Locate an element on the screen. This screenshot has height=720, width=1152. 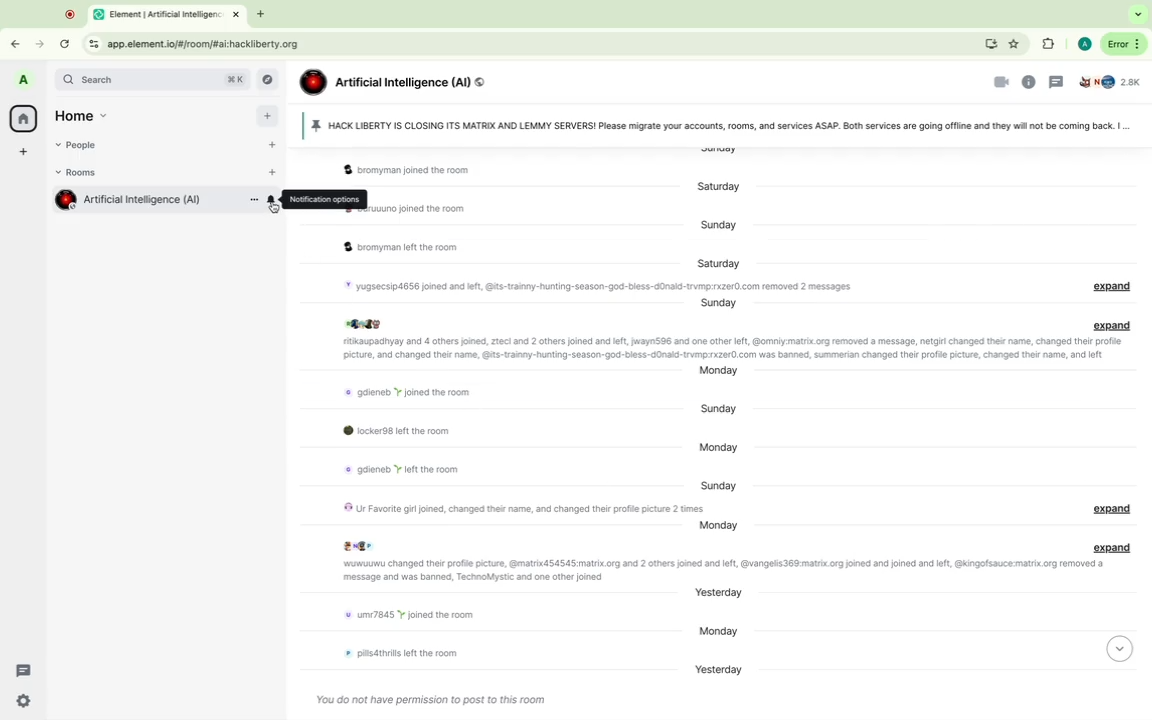
Rooms is located at coordinates (82, 173).